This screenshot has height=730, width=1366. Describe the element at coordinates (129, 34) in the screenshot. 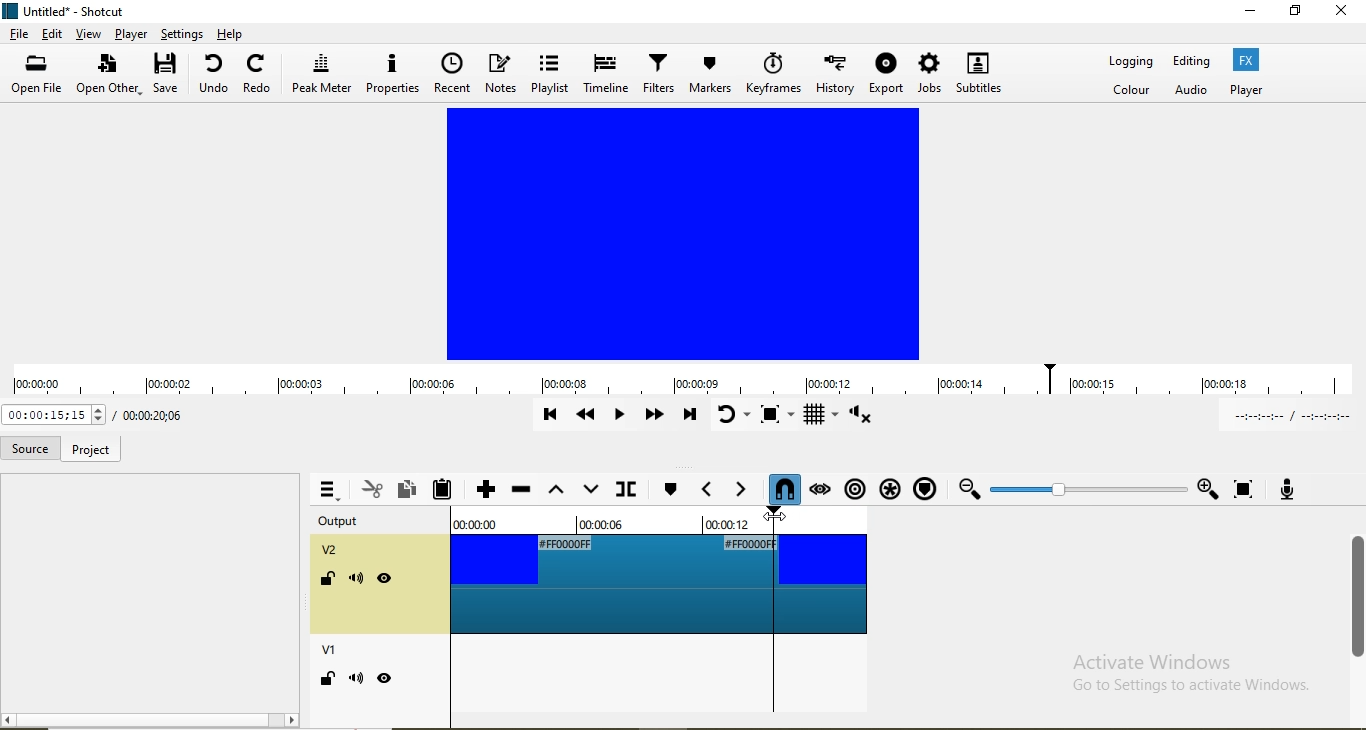

I see `player` at that location.